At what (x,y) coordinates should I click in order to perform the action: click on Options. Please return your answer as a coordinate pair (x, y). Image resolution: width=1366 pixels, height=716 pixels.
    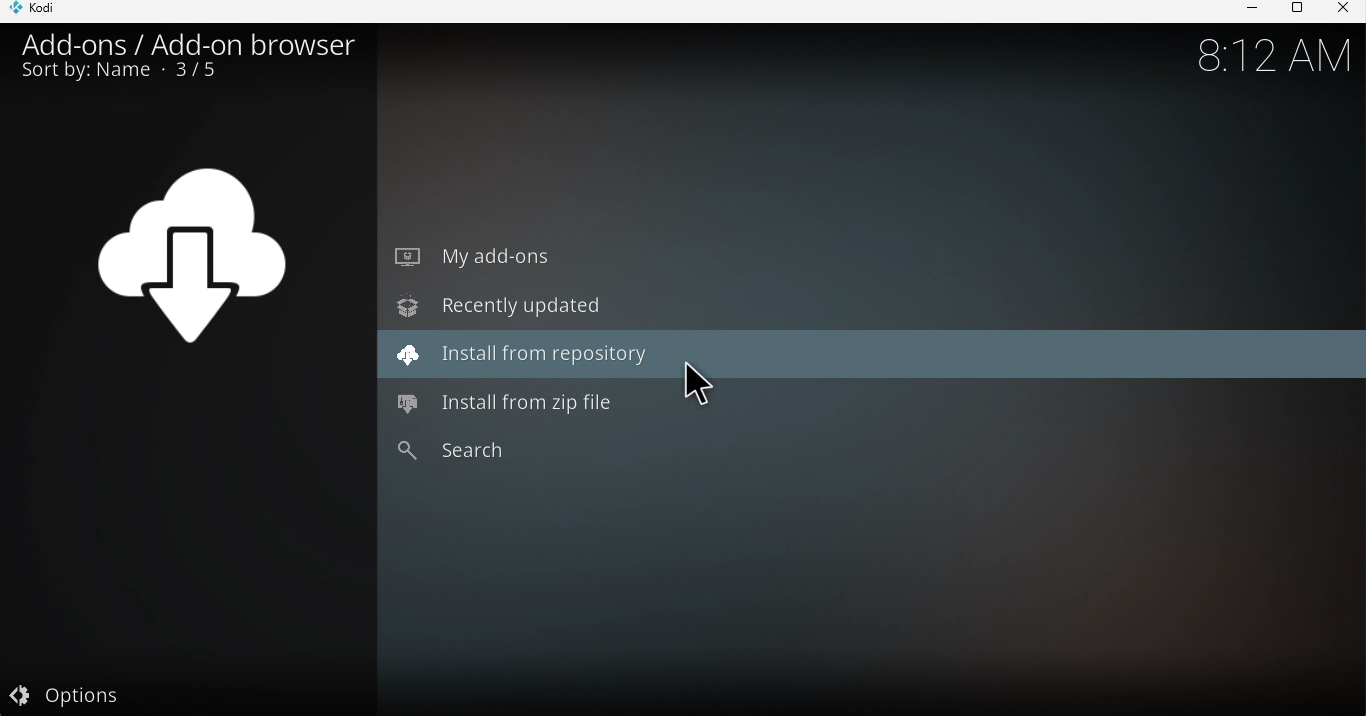
    Looking at the image, I should click on (94, 694).